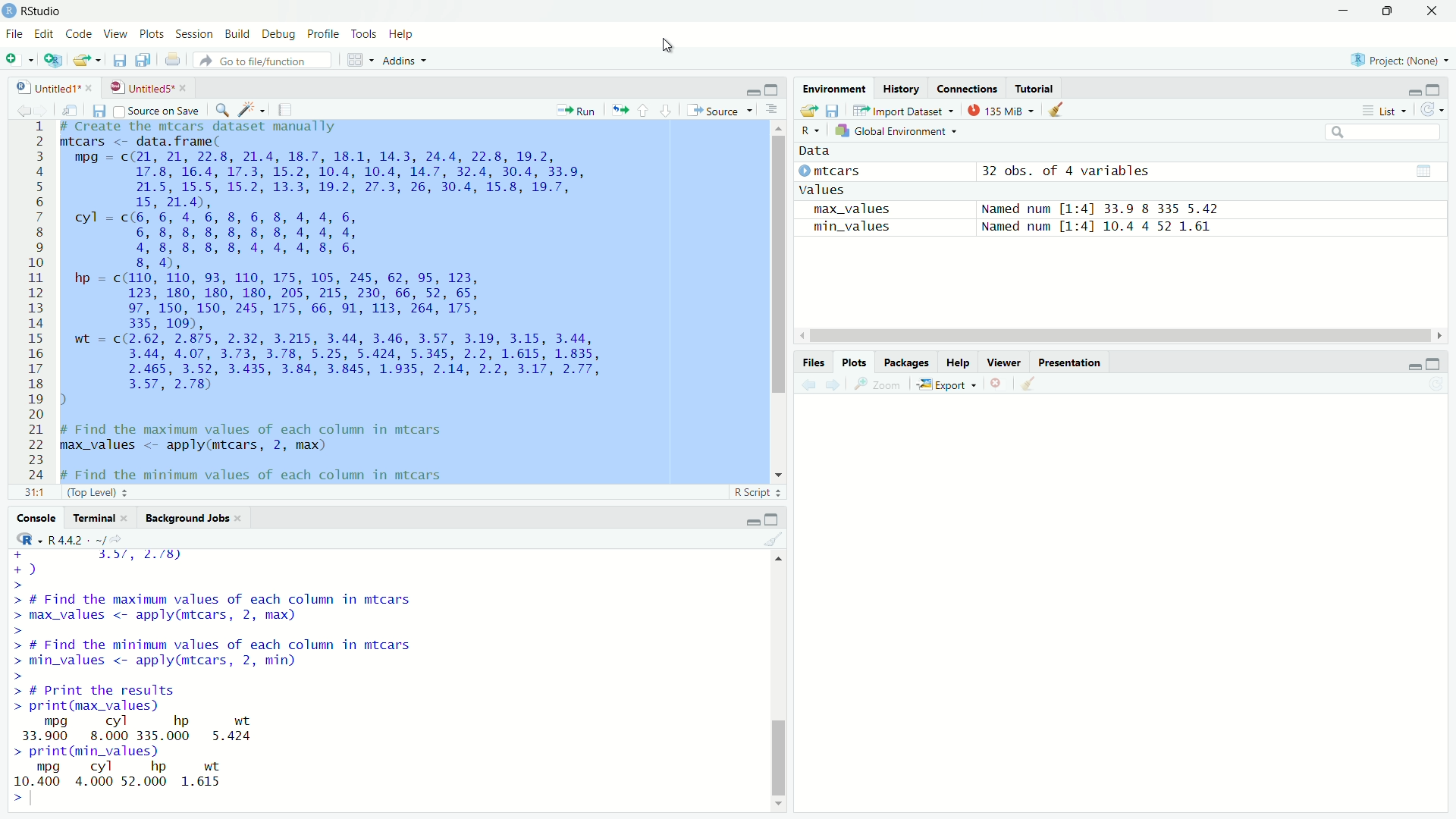 This screenshot has width=1456, height=819. Describe the element at coordinates (835, 88) in the screenshot. I see `Environment` at that location.